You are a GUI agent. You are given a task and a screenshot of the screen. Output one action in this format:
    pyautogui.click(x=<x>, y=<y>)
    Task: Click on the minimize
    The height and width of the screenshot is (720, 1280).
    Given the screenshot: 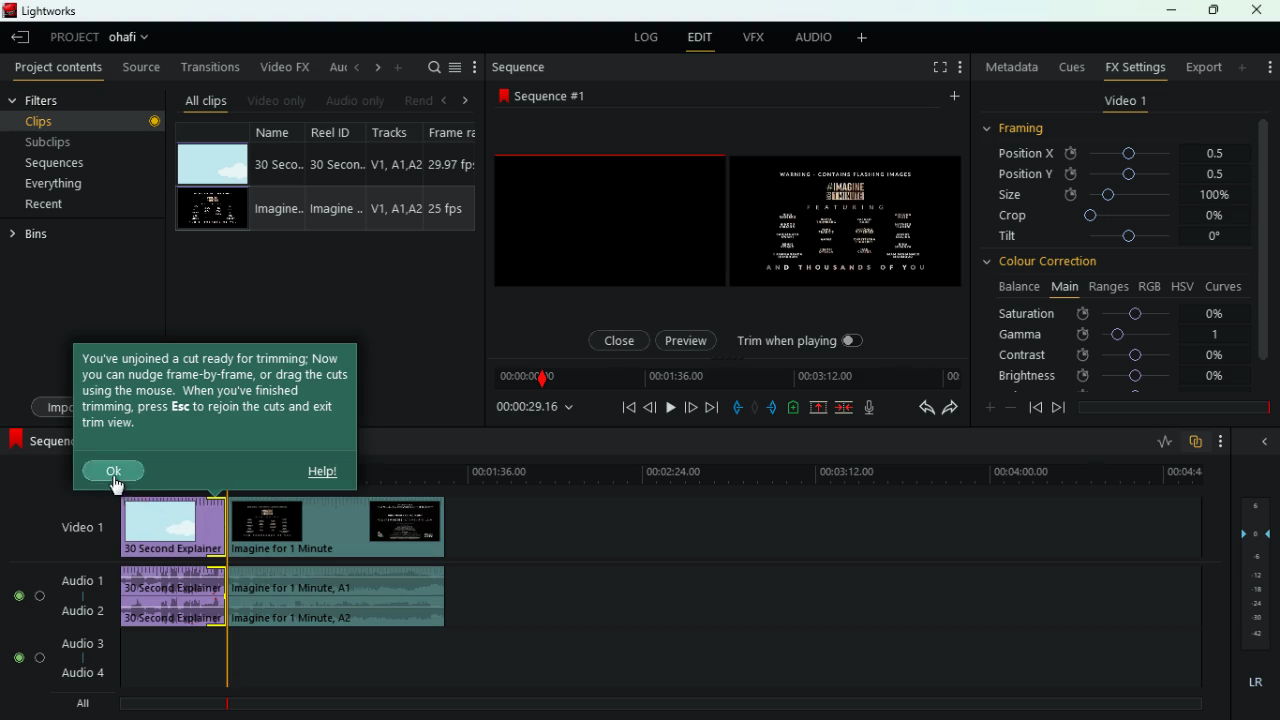 What is the action you would take?
    pyautogui.click(x=1171, y=12)
    